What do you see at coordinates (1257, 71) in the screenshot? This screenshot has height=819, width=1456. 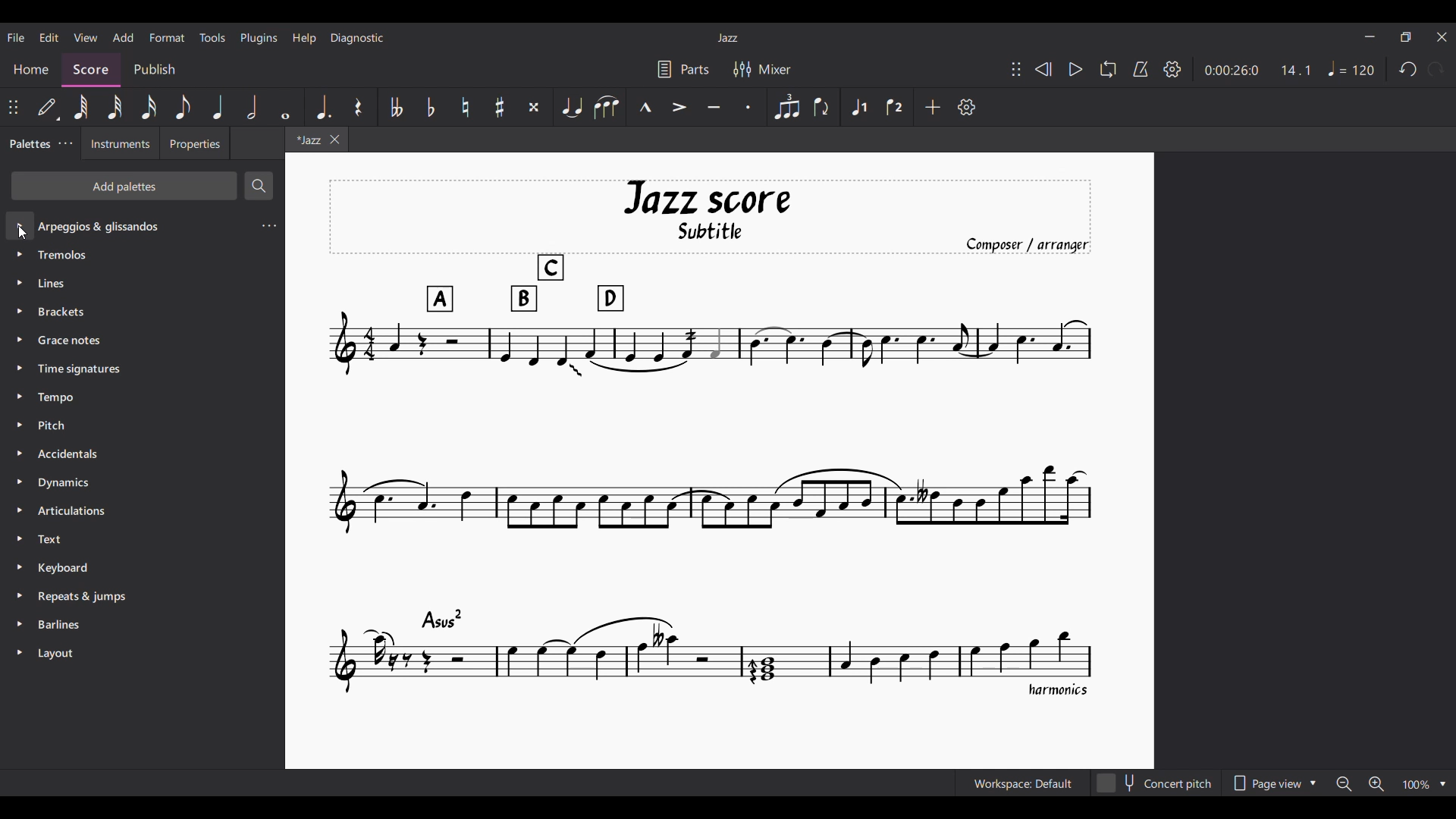 I see `Duration and ratio` at bounding box center [1257, 71].